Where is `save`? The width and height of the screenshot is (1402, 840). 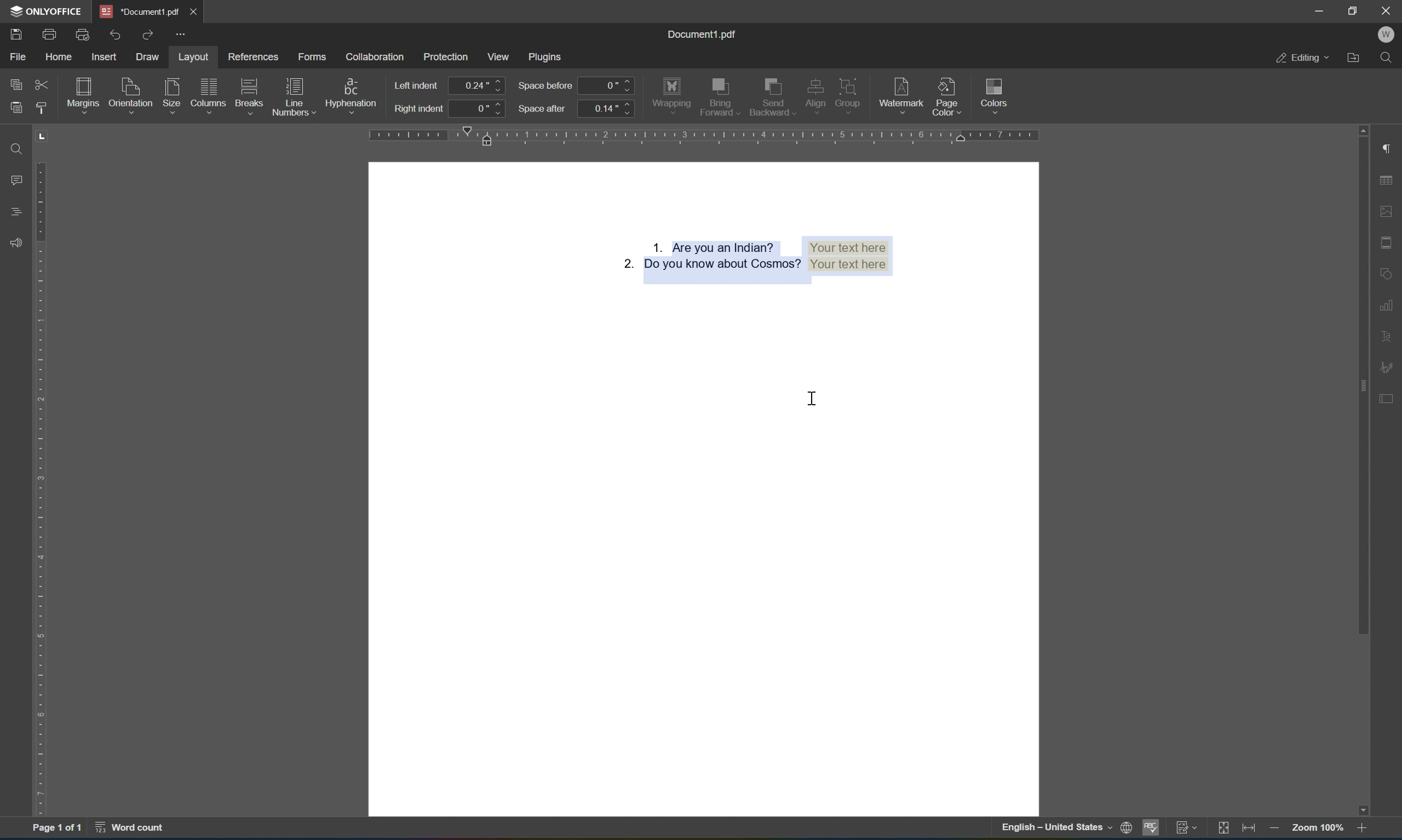 save is located at coordinates (16, 33).